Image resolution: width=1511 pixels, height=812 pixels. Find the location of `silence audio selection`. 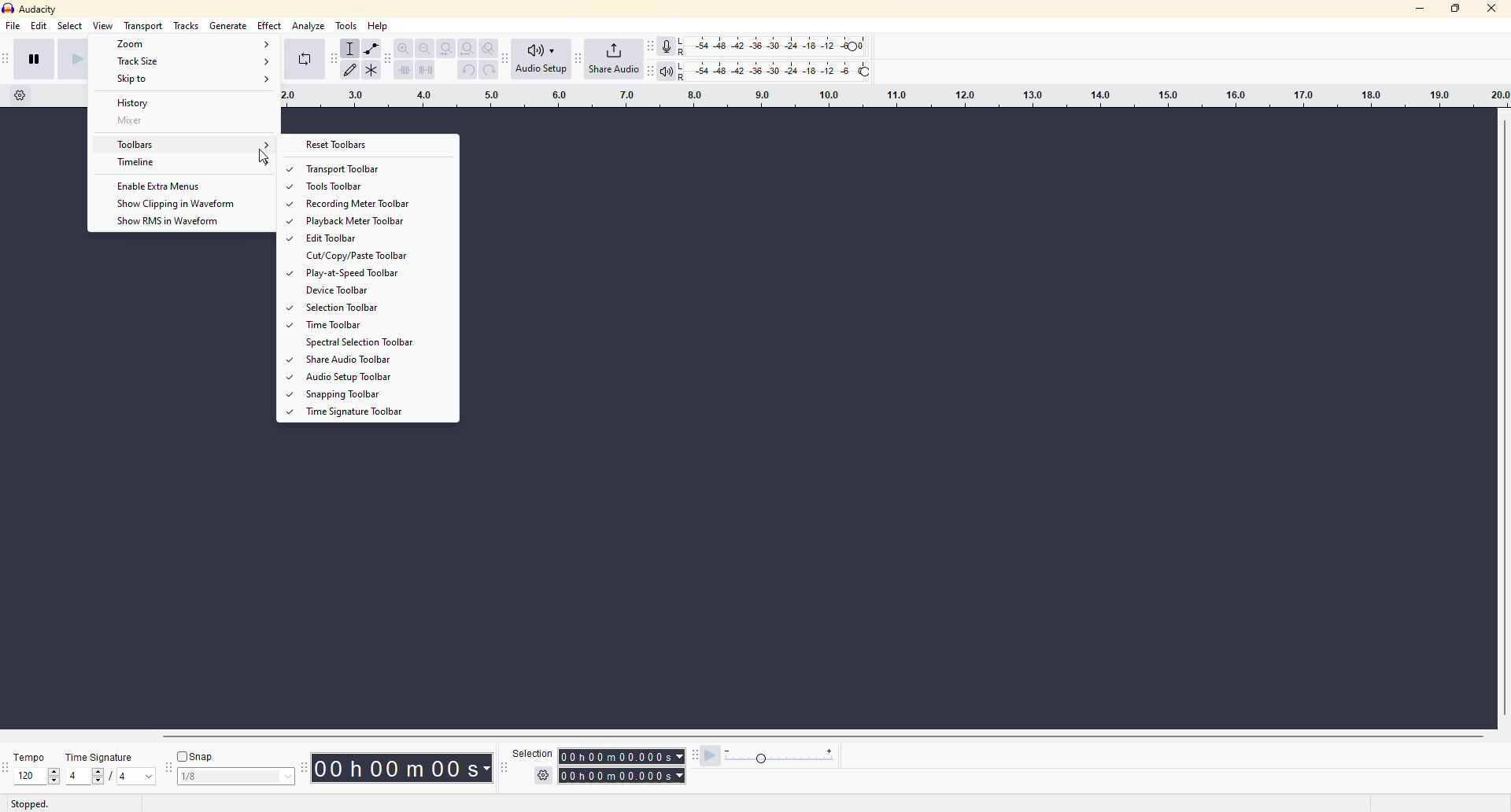

silence audio selection is located at coordinates (427, 71).